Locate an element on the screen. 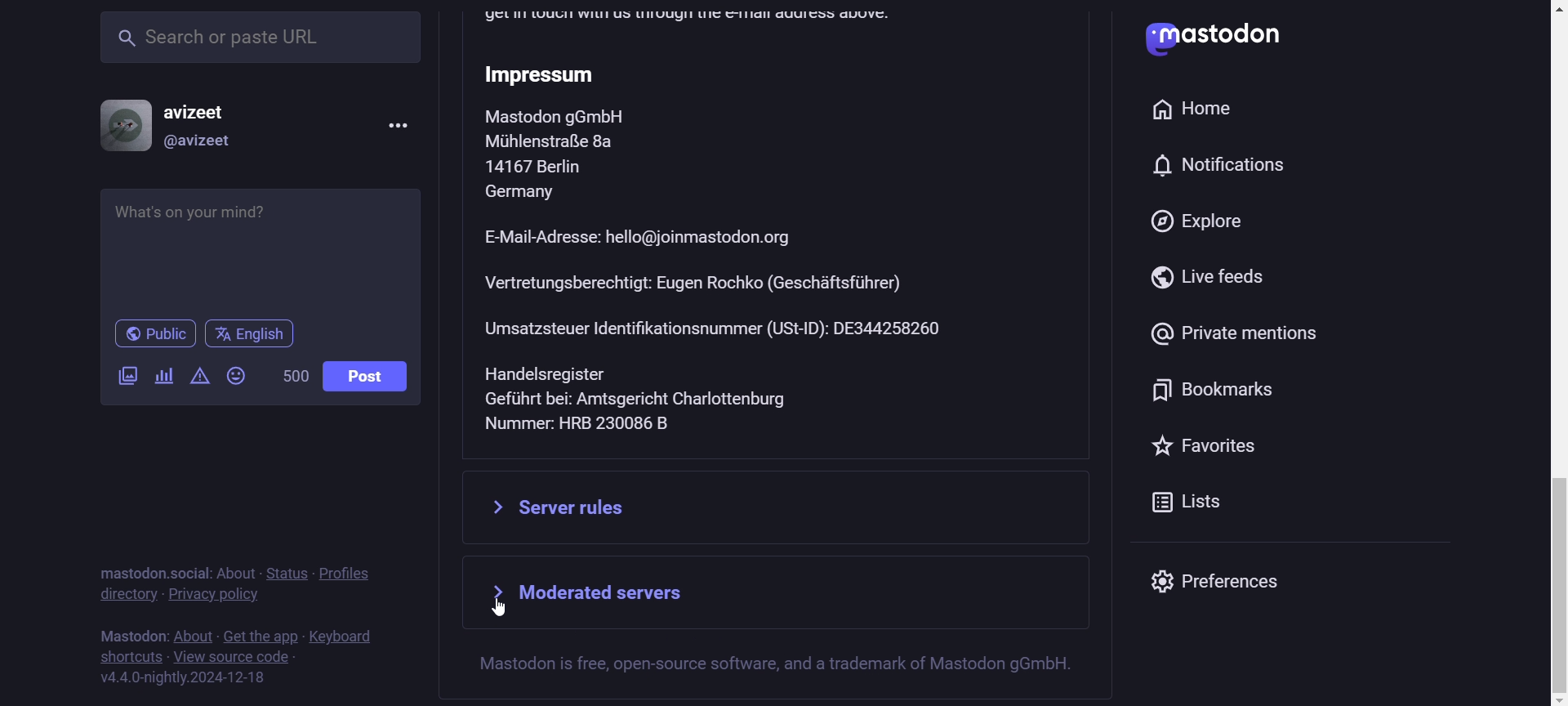 This screenshot has width=1568, height=706. Server Rules is located at coordinates (779, 507).